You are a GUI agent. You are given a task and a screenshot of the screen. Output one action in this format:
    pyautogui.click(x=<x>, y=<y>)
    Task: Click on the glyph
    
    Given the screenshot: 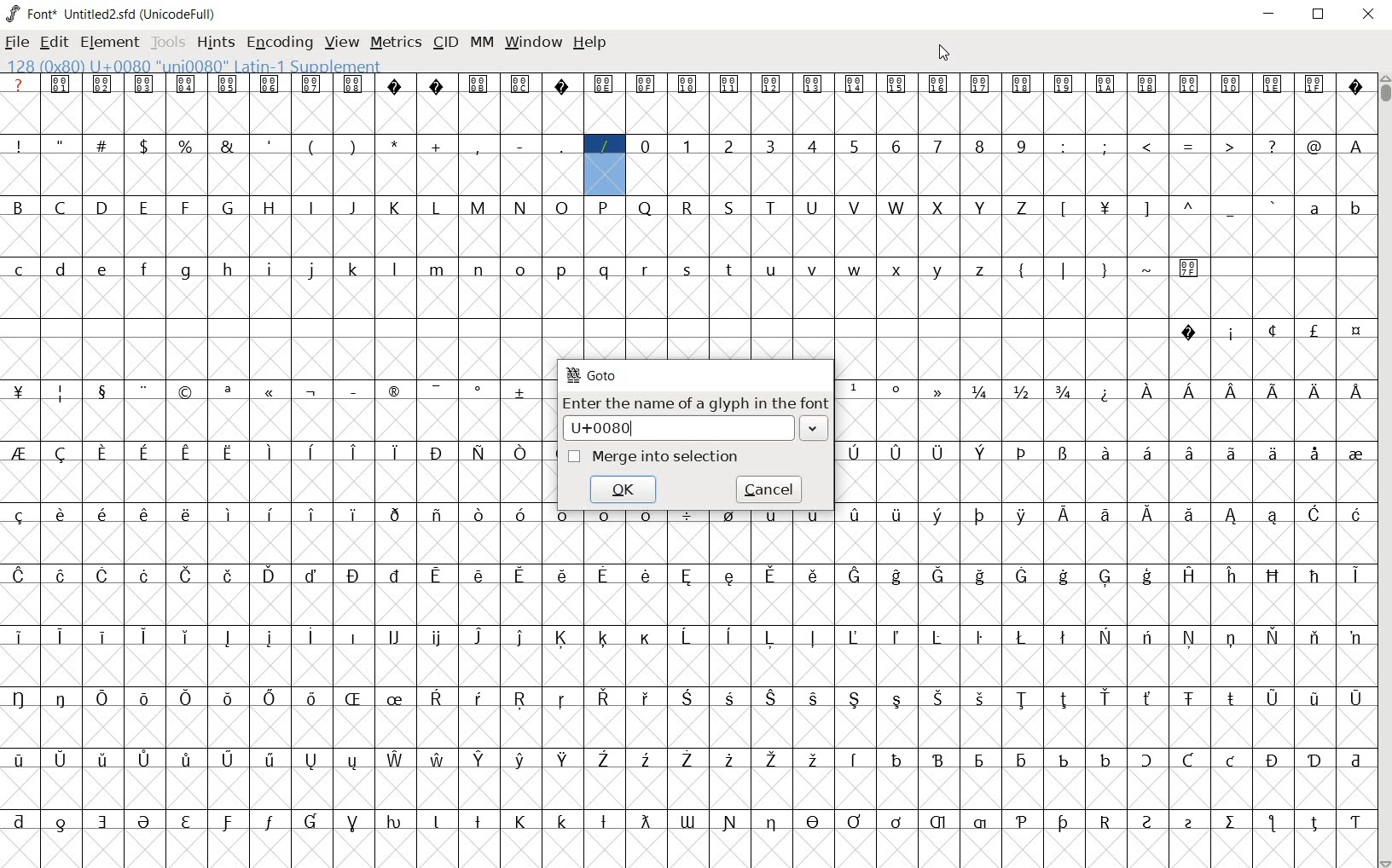 What is the action you would take?
    pyautogui.click(x=145, y=760)
    